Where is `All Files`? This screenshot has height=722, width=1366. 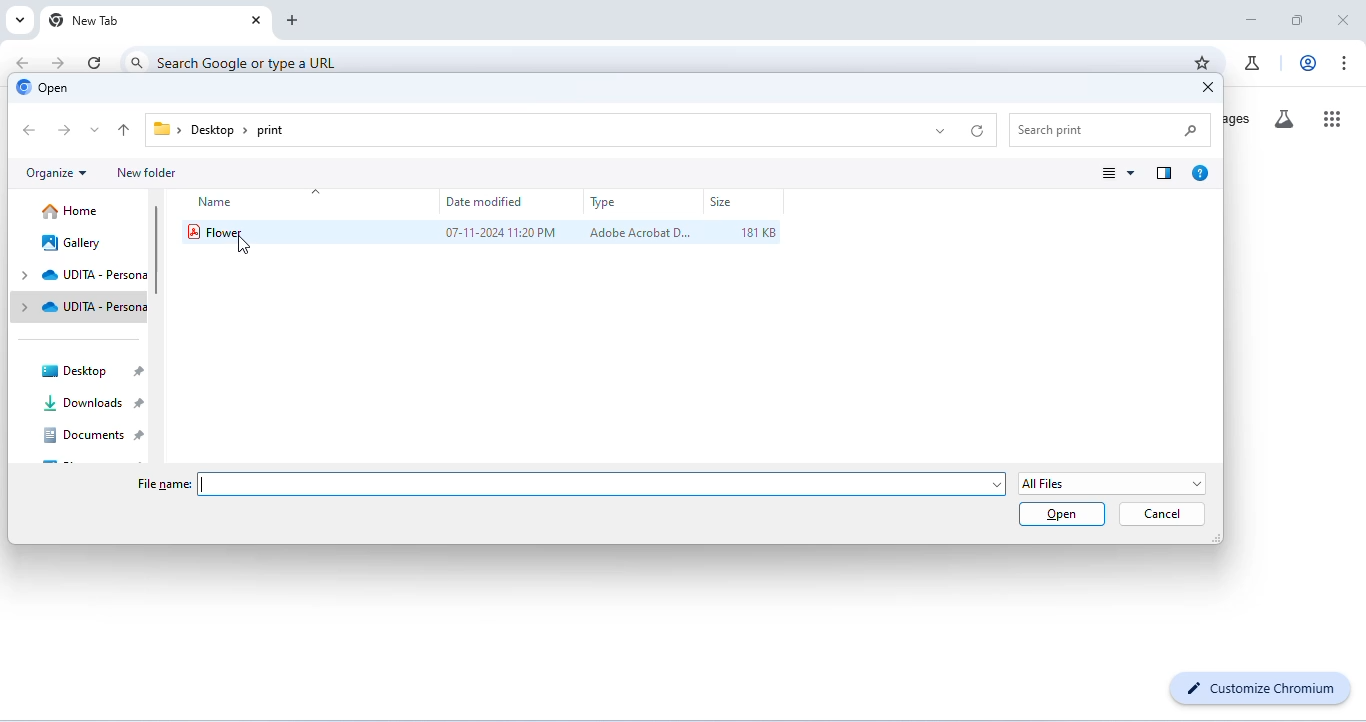
All Files is located at coordinates (1114, 483).